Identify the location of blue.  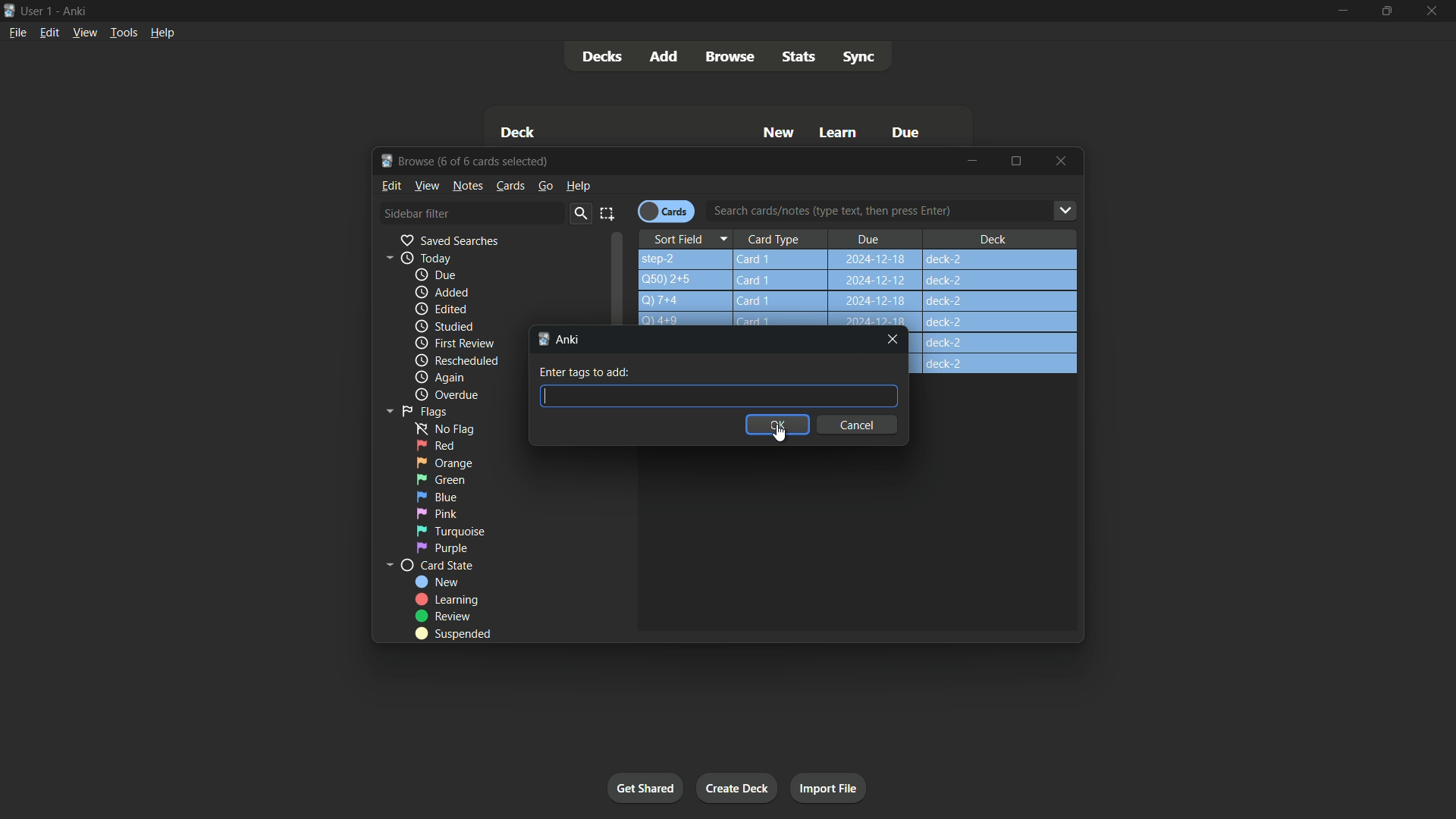
(436, 497).